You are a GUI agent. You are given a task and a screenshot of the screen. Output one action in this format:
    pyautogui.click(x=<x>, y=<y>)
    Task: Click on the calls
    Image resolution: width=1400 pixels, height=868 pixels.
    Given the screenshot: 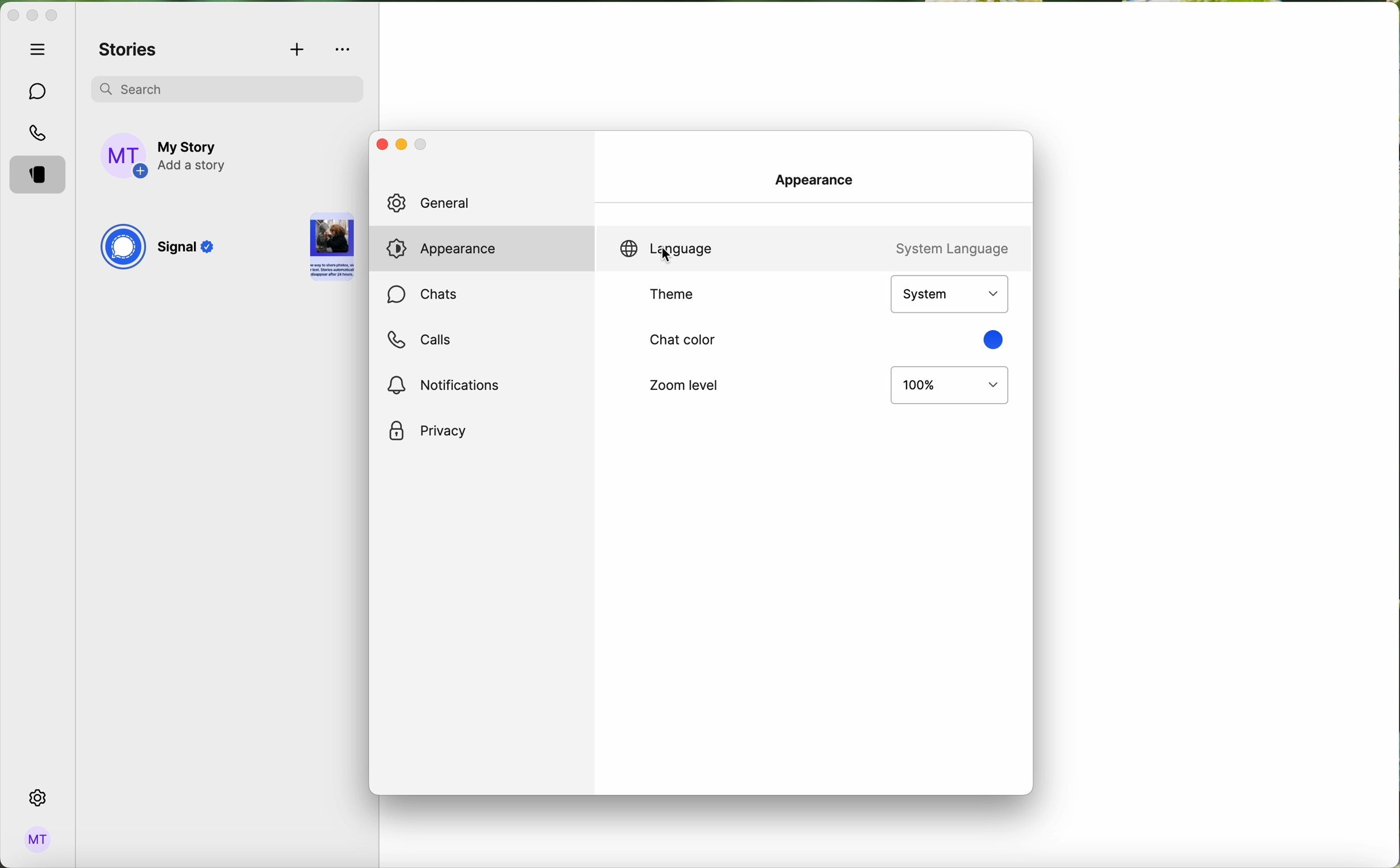 What is the action you would take?
    pyautogui.click(x=40, y=134)
    